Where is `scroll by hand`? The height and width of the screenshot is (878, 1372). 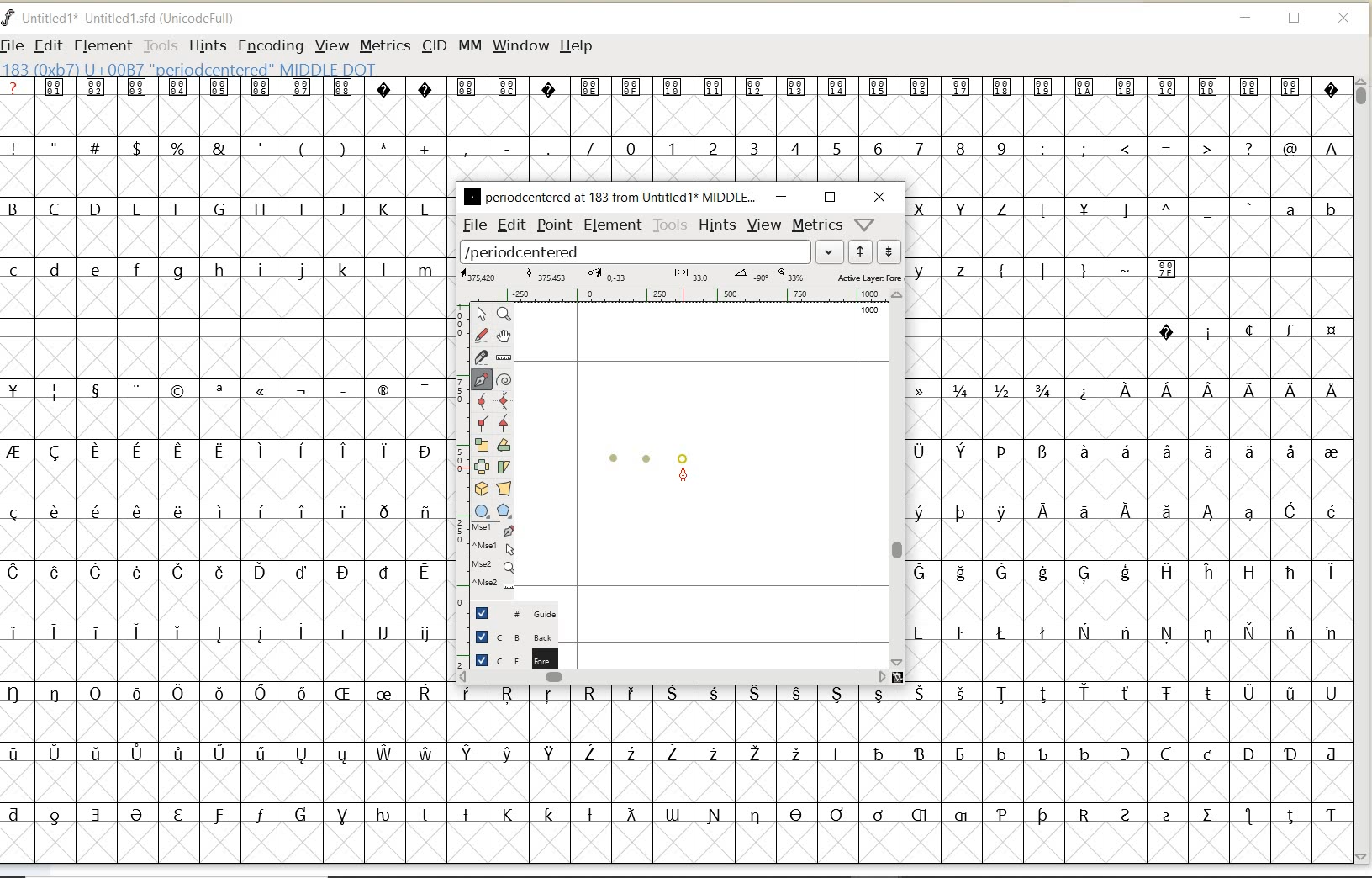
scroll by hand is located at coordinates (503, 336).